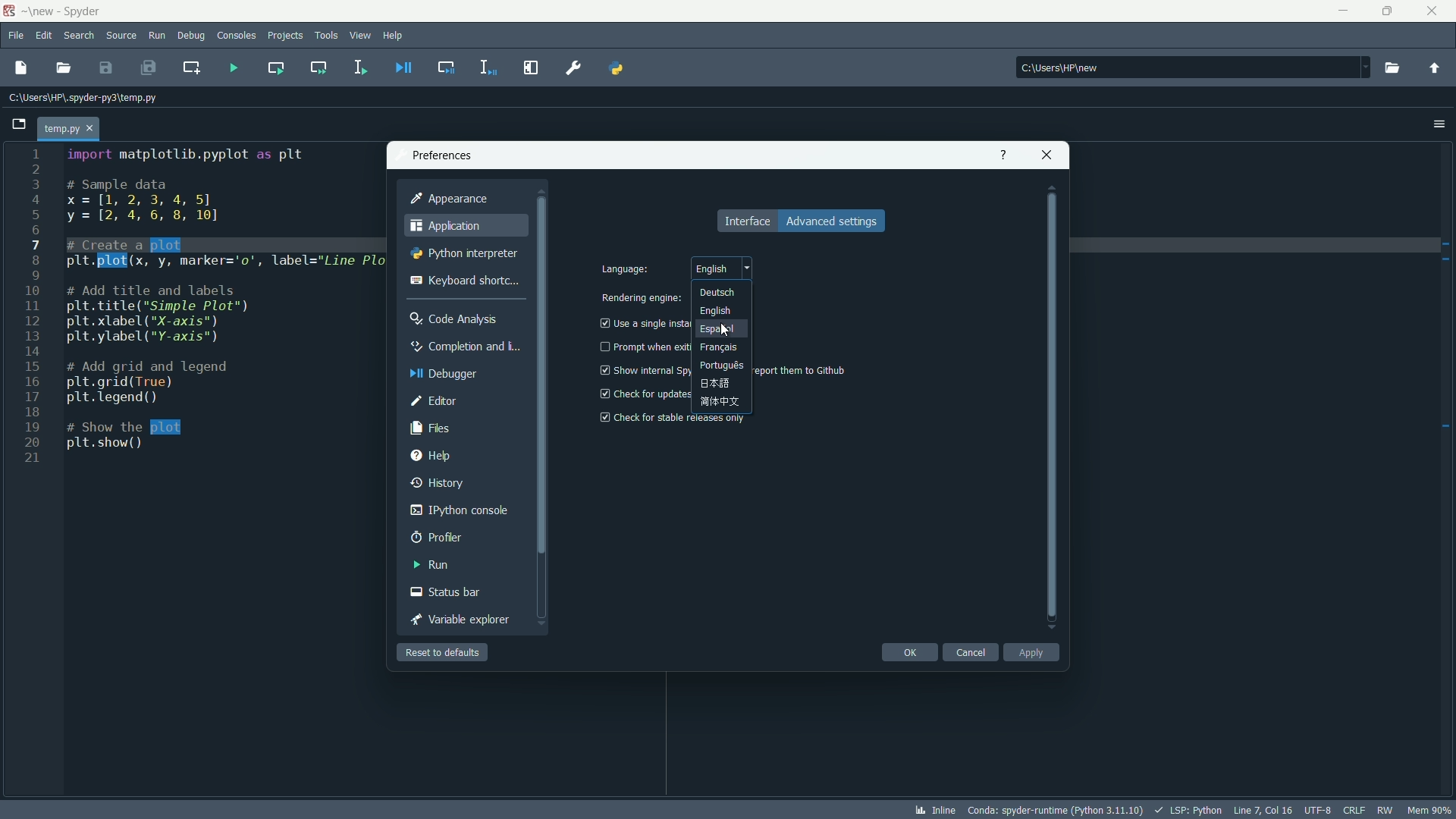 Image resolution: width=1456 pixels, height=819 pixels. Describe the element at coordinates (149, 68) in the screenshot. I see `save all files` at that location.